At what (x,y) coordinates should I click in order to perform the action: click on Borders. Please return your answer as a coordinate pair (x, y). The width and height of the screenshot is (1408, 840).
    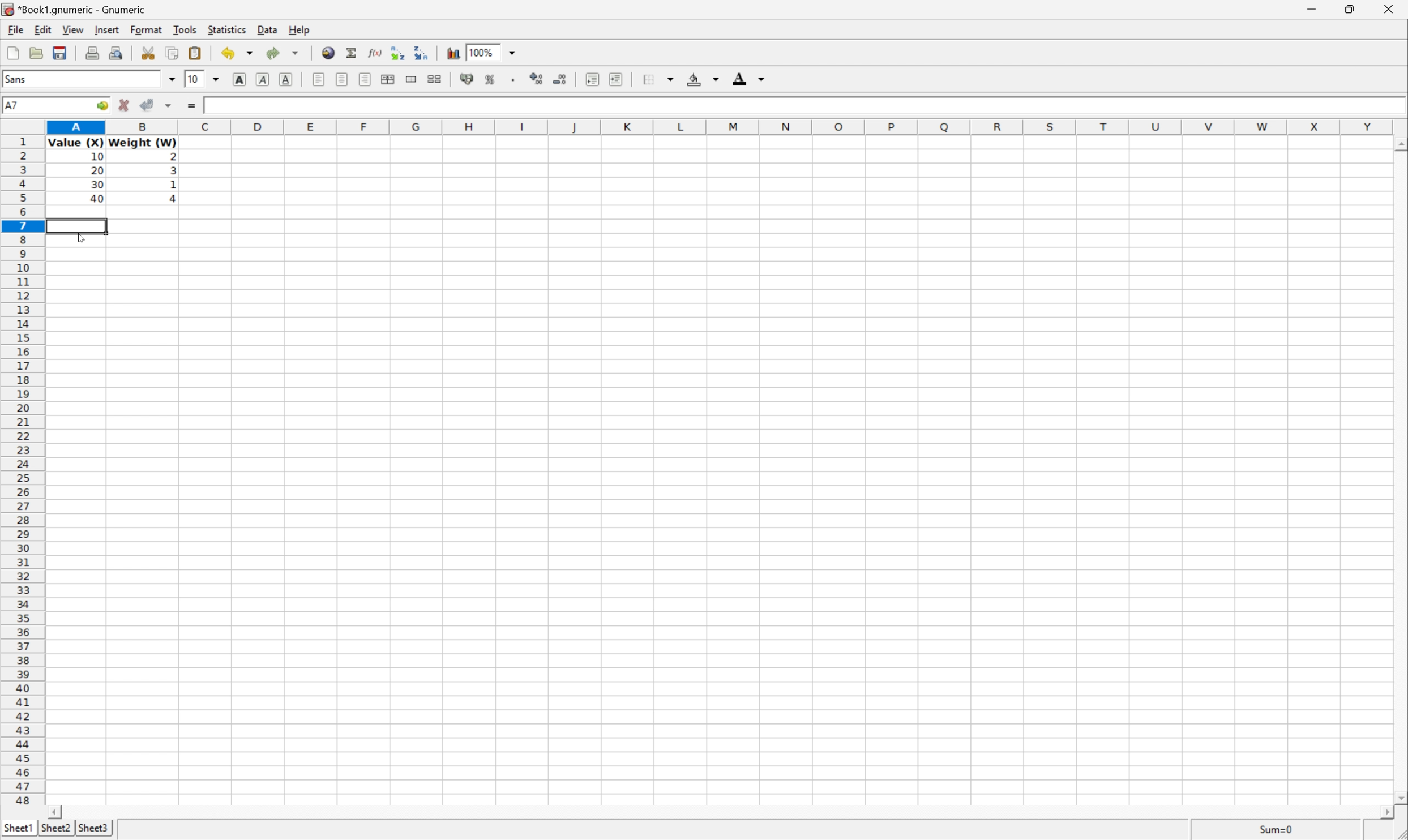
    Looking at the image, I should click on (657, 77).